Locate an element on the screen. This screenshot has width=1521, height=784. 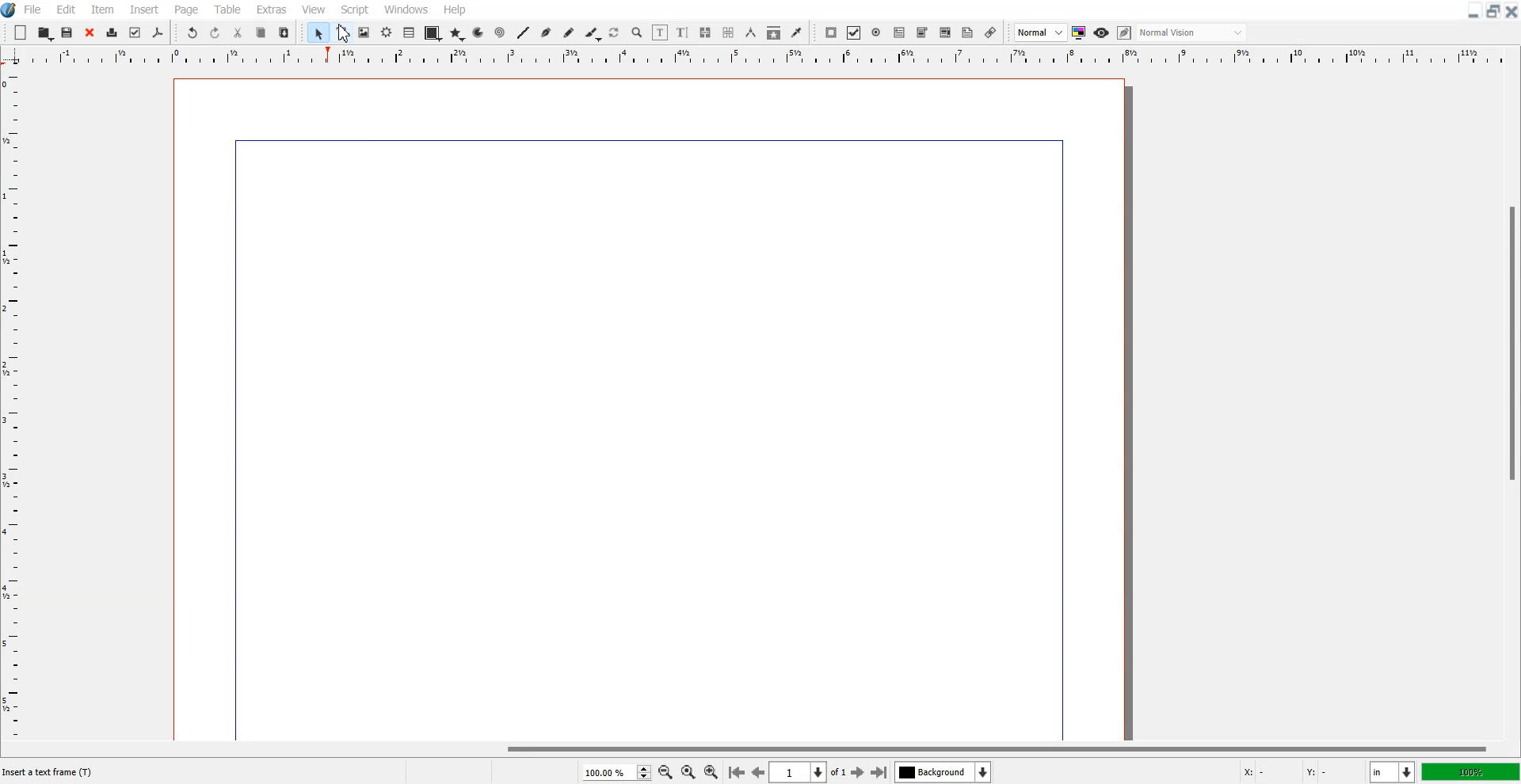
Select Zoom Level is located at coordinates (618, 772).